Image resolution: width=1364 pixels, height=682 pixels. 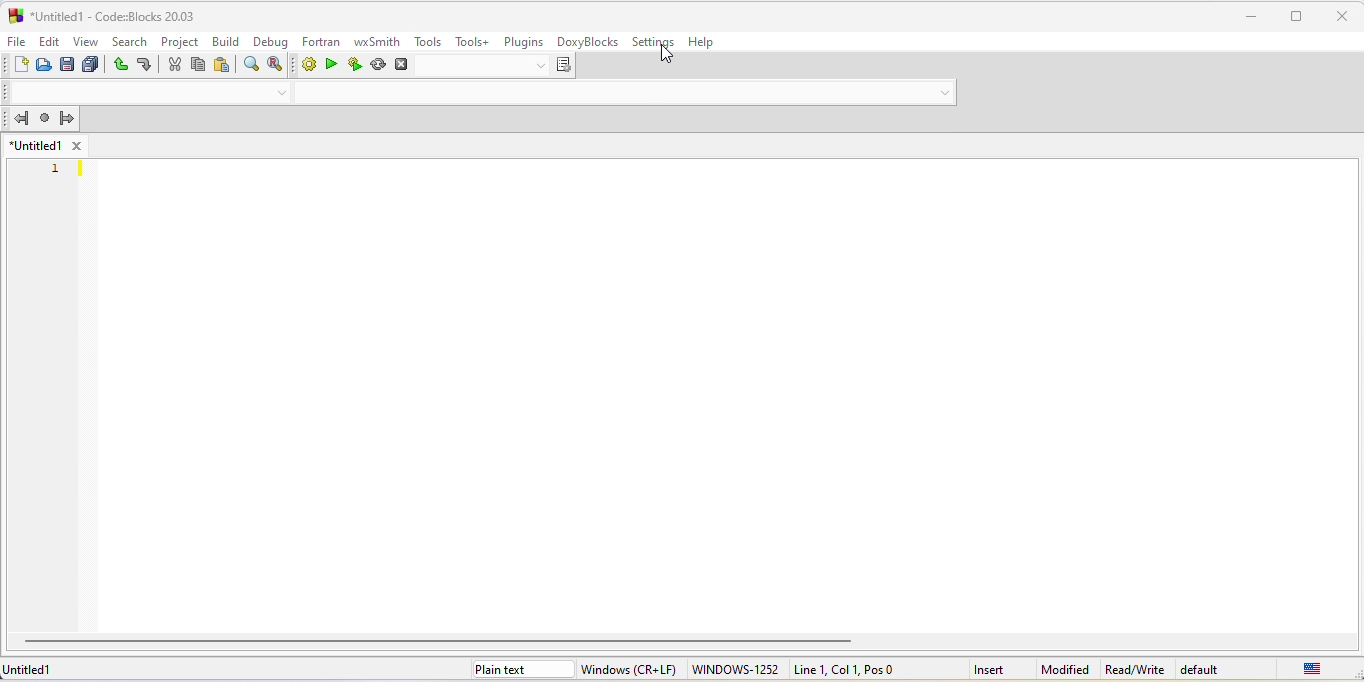 I want to click on close, so click(x=1341, y=17).